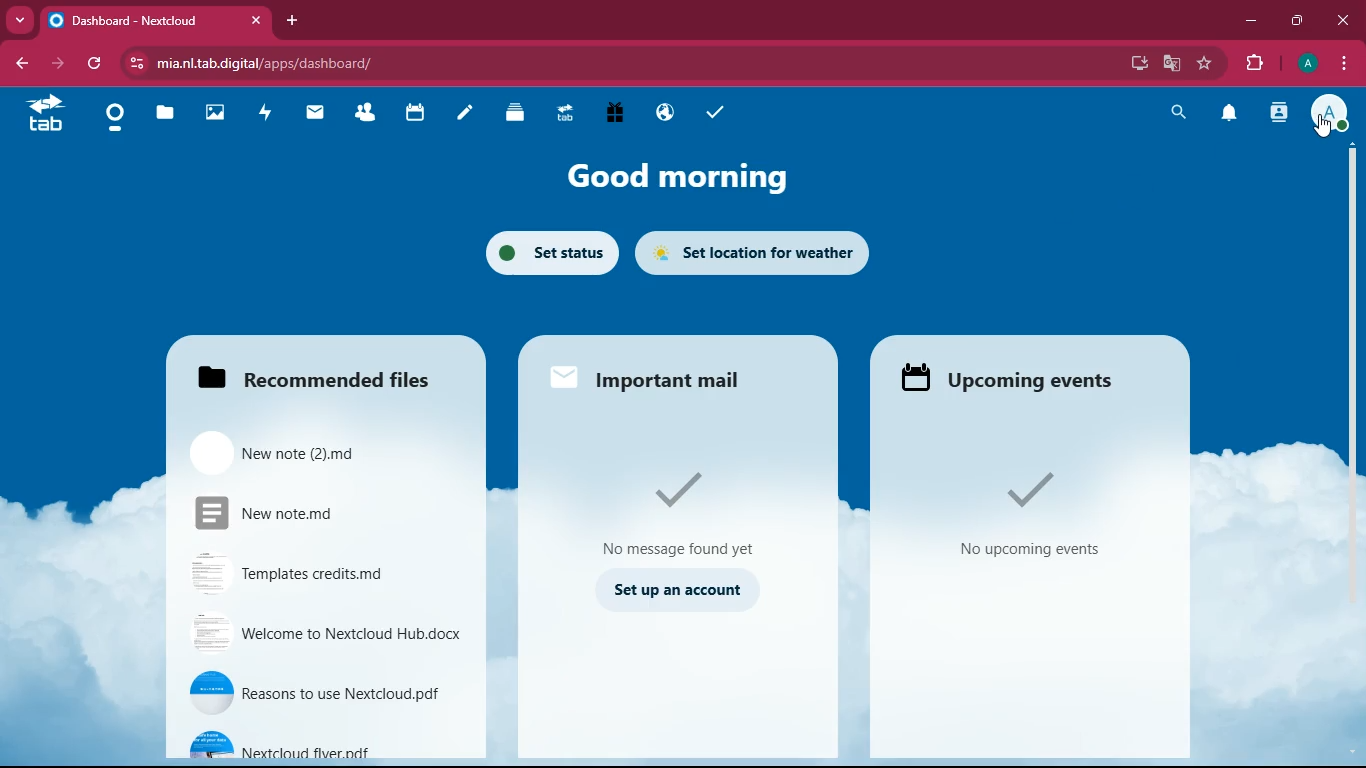 The width and height of the screenshot is (1366, 768). Describe the element at coordinates (1230, 114) in the screenshot. I see `notification` at that location.